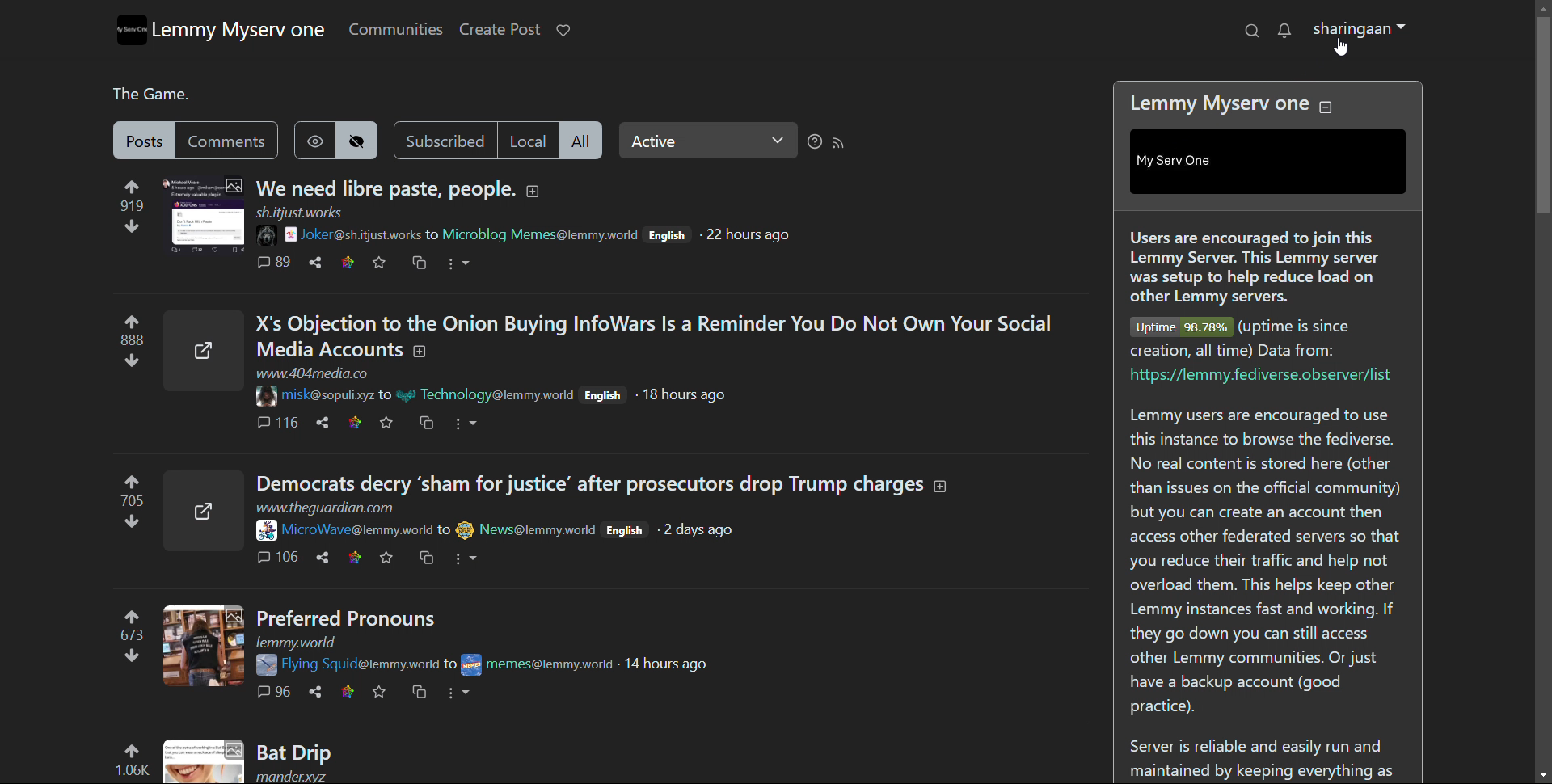 The height and width of the screenshot is (784, 1552). I want to click on URL, so click(328, 508).